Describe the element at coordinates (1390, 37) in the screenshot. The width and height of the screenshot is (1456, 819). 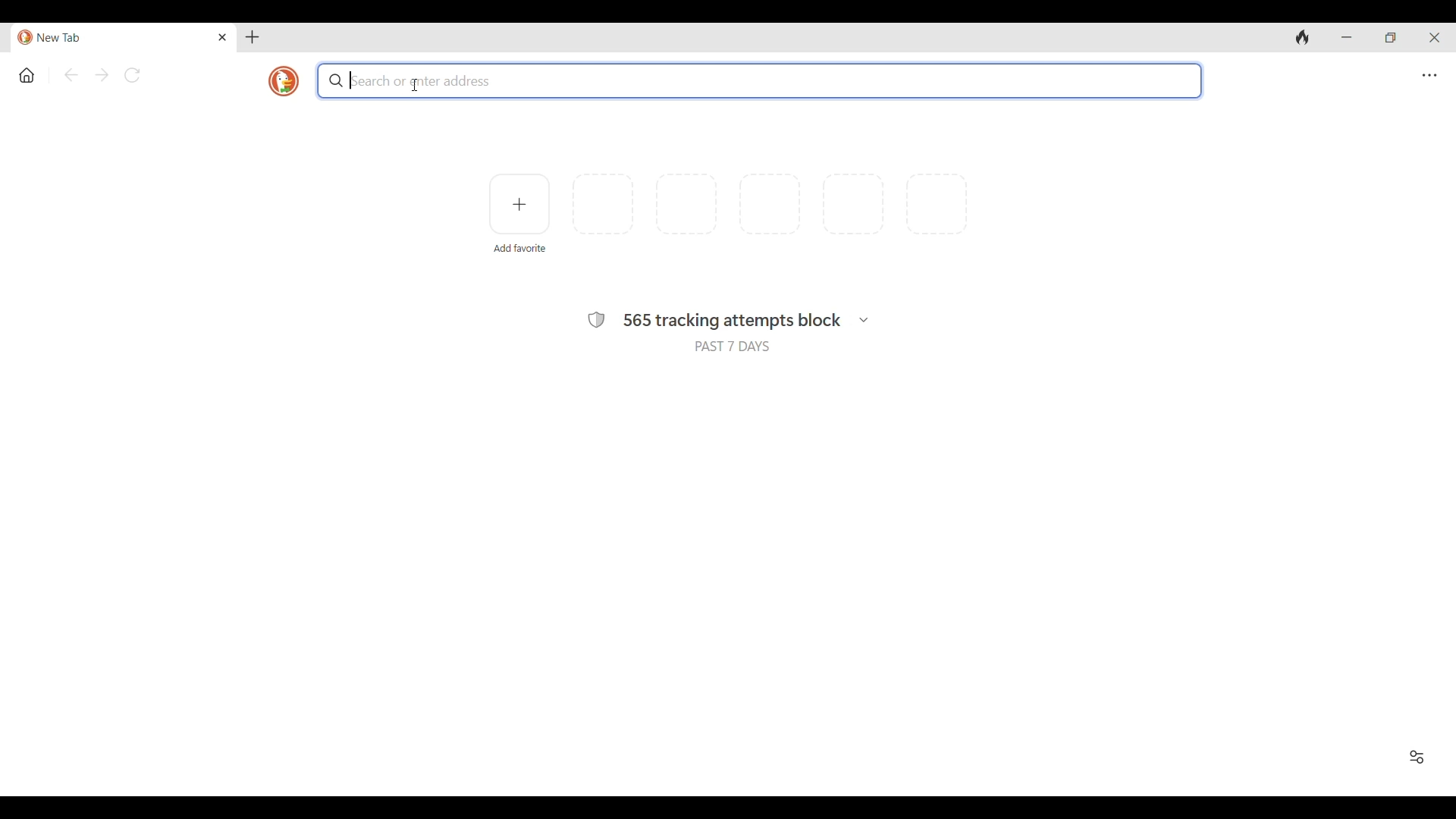
I see `Show interface in a smaller tab` at that location.